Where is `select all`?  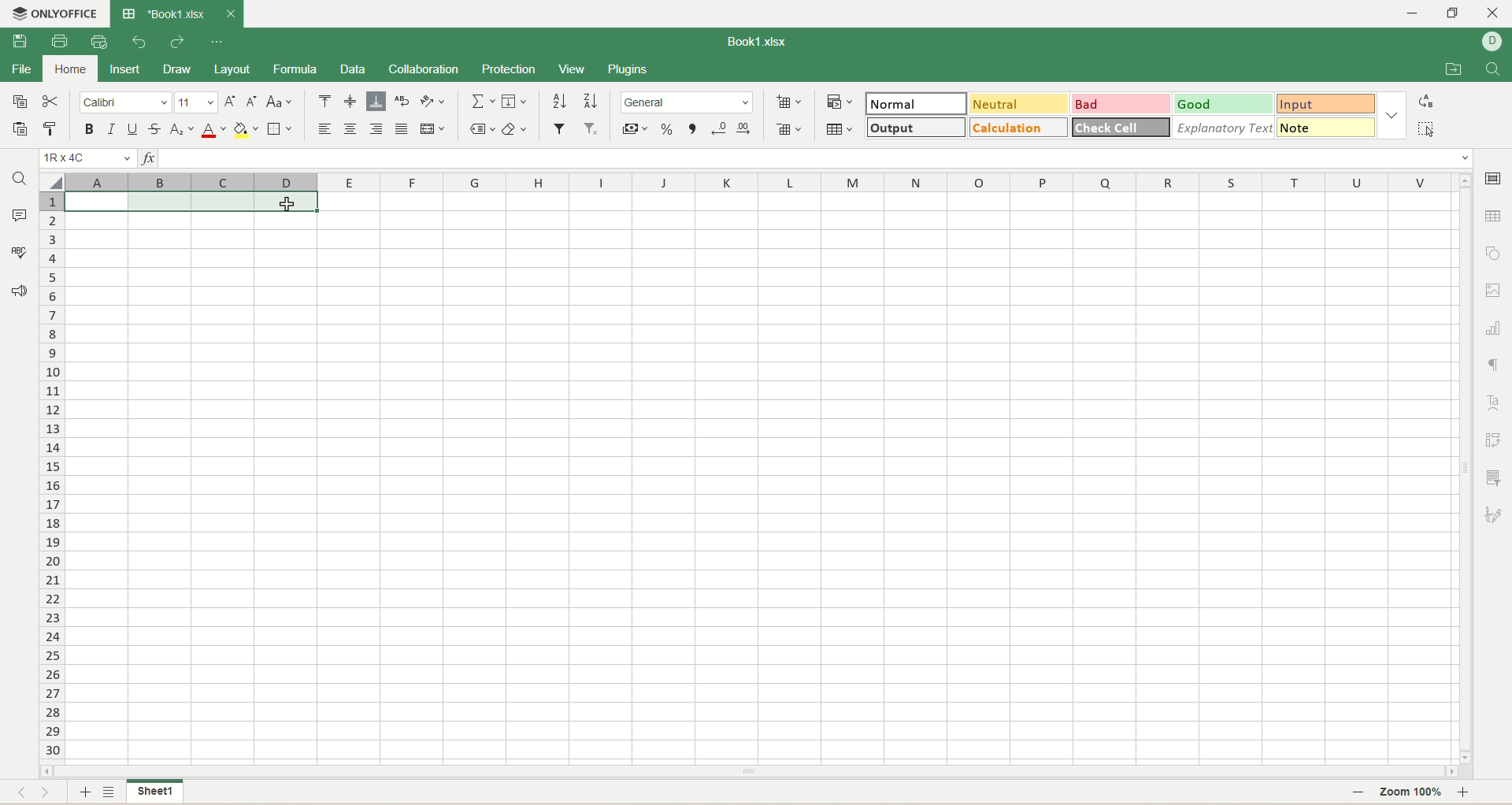
select all is located at coordinates (53, 180).